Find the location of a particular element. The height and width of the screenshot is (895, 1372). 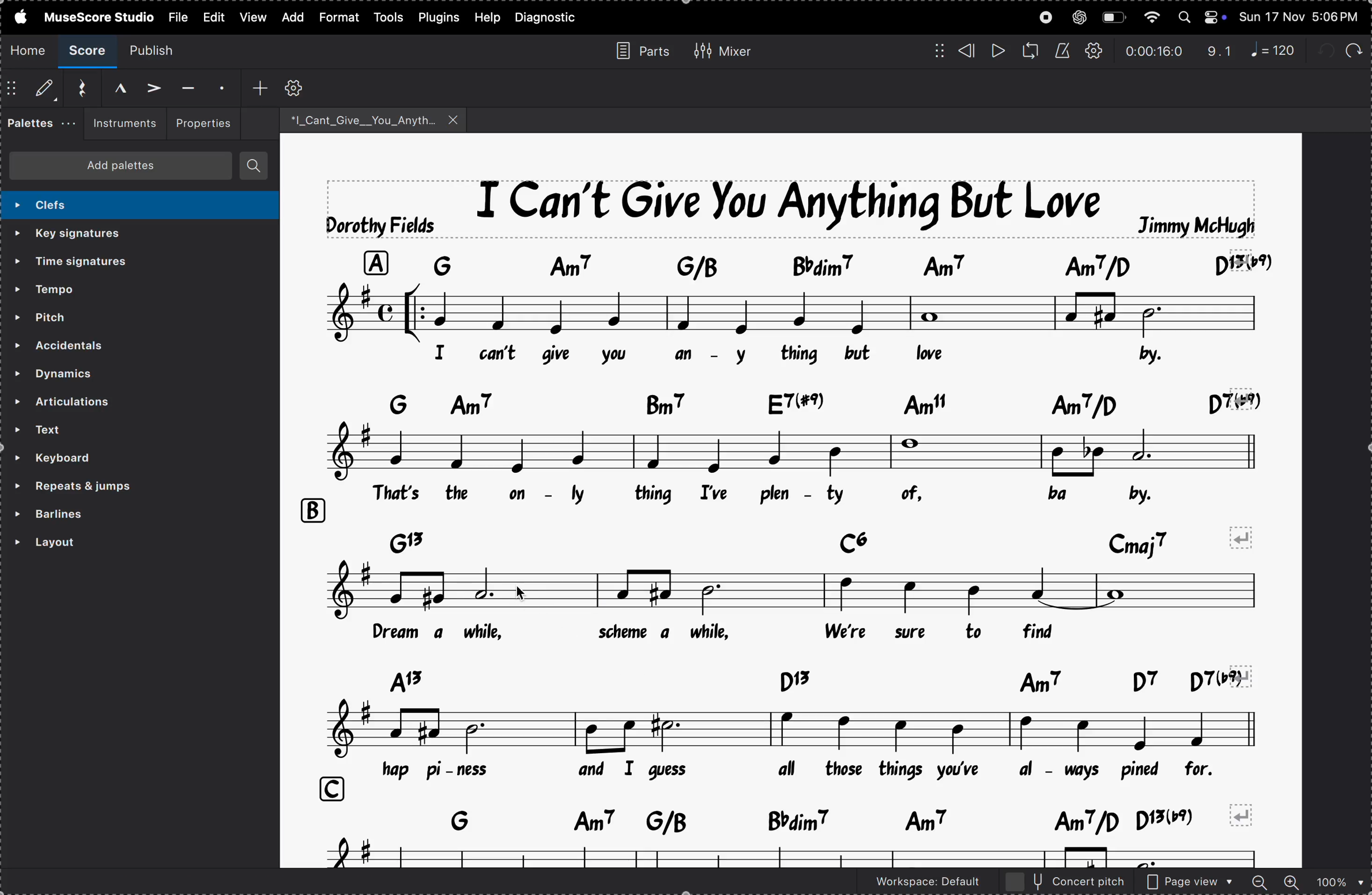

lyrics is located at coordinates (812, 769).